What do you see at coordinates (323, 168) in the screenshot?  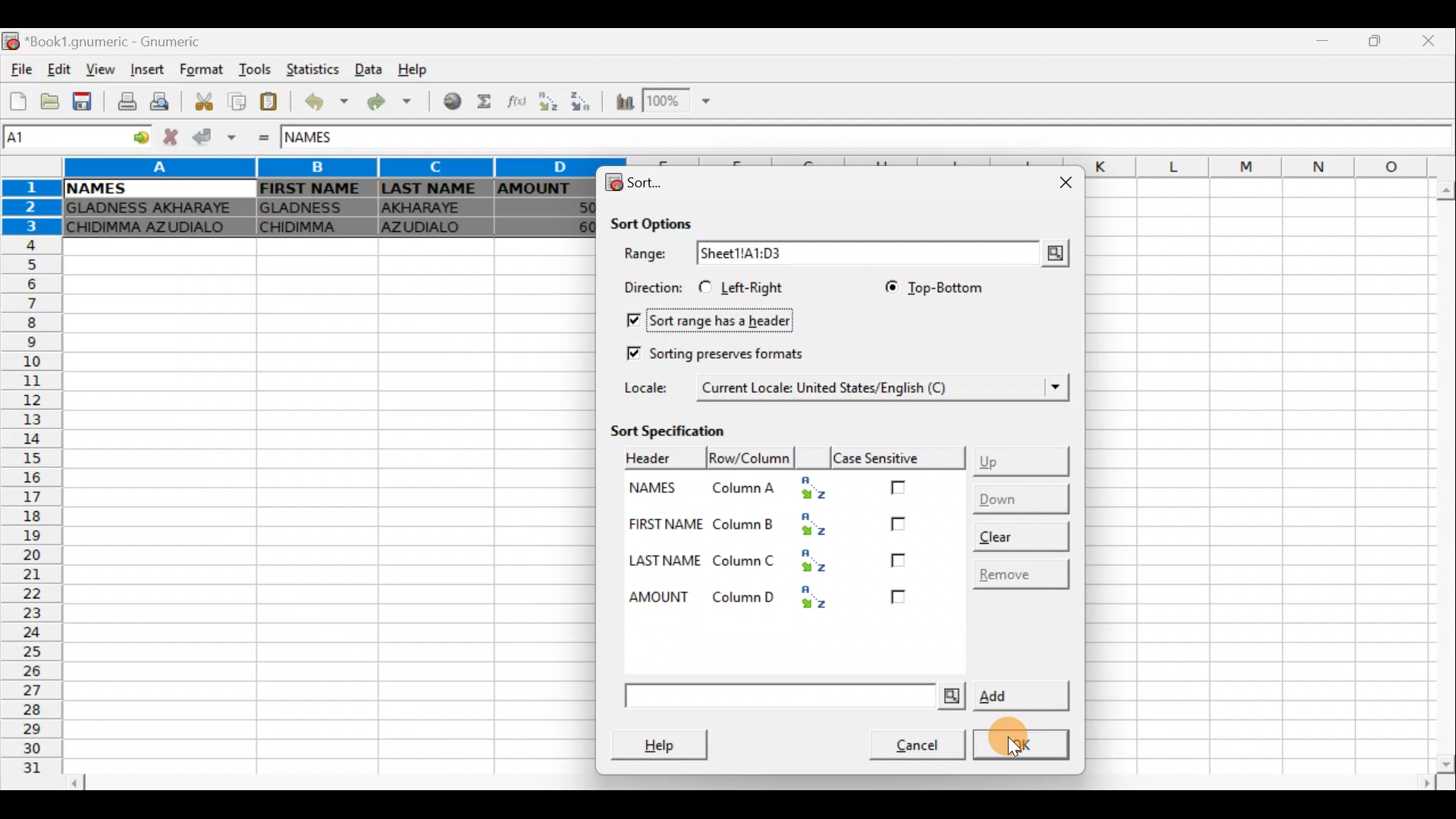 I see `Columns` at bounding box center [323, 168].